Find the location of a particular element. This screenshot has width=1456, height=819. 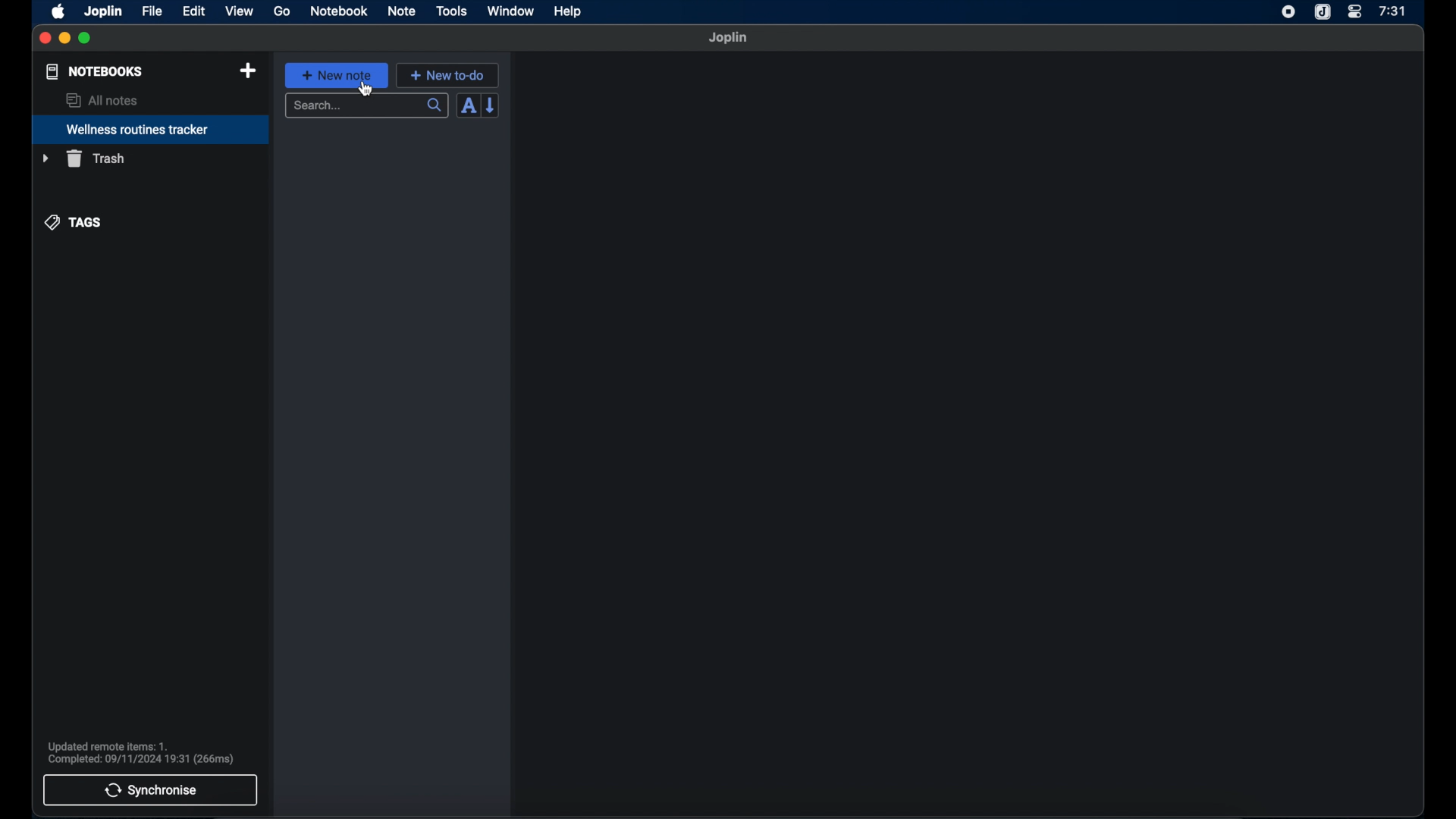

maximize is located at coordinates (86, 39).